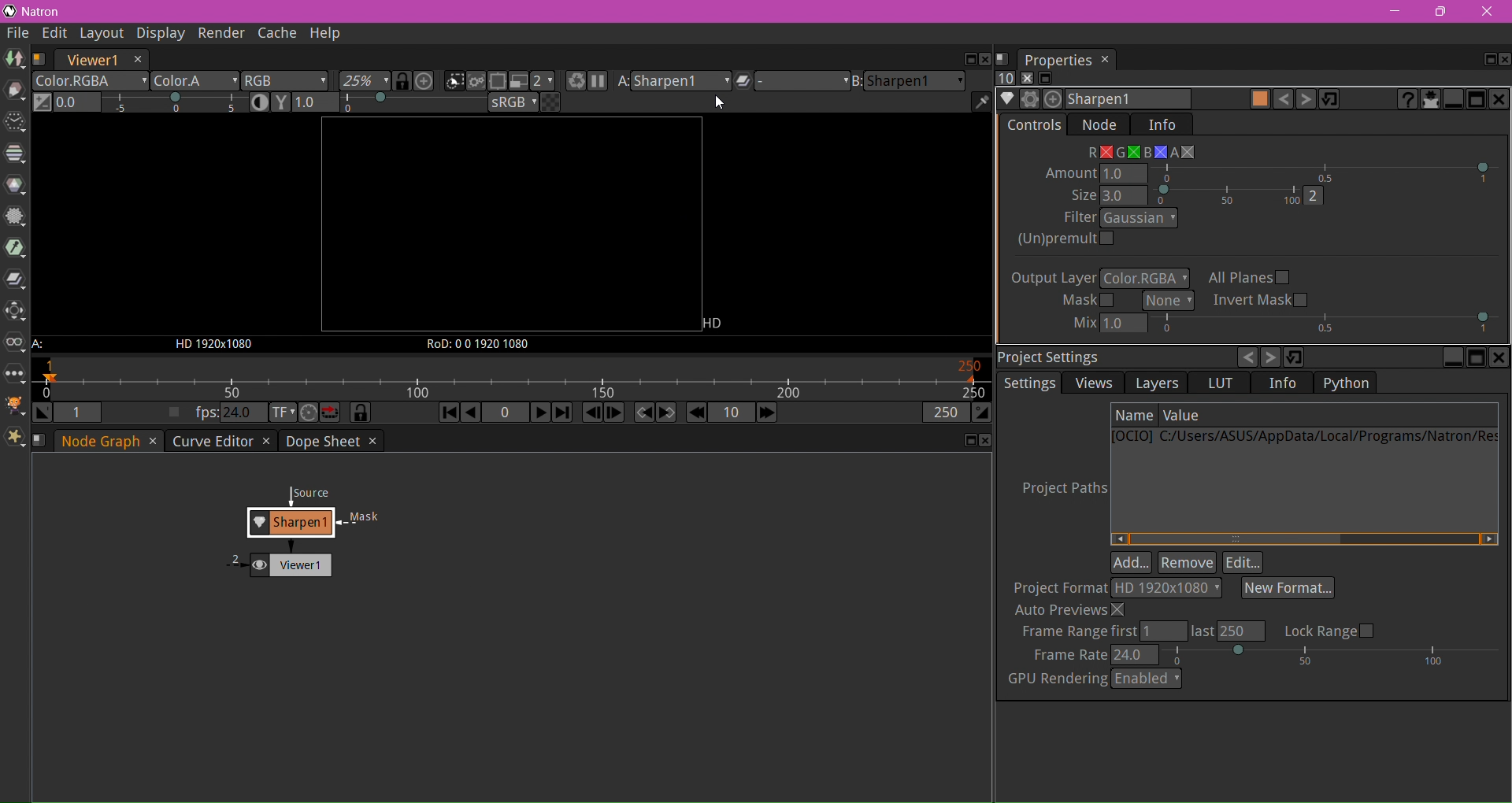 The image size is (1512, 803). I want to click on Show/Hide information bar in the bottom of the viewer and if unchecked deactivate any active color picker, so click(981, 102).